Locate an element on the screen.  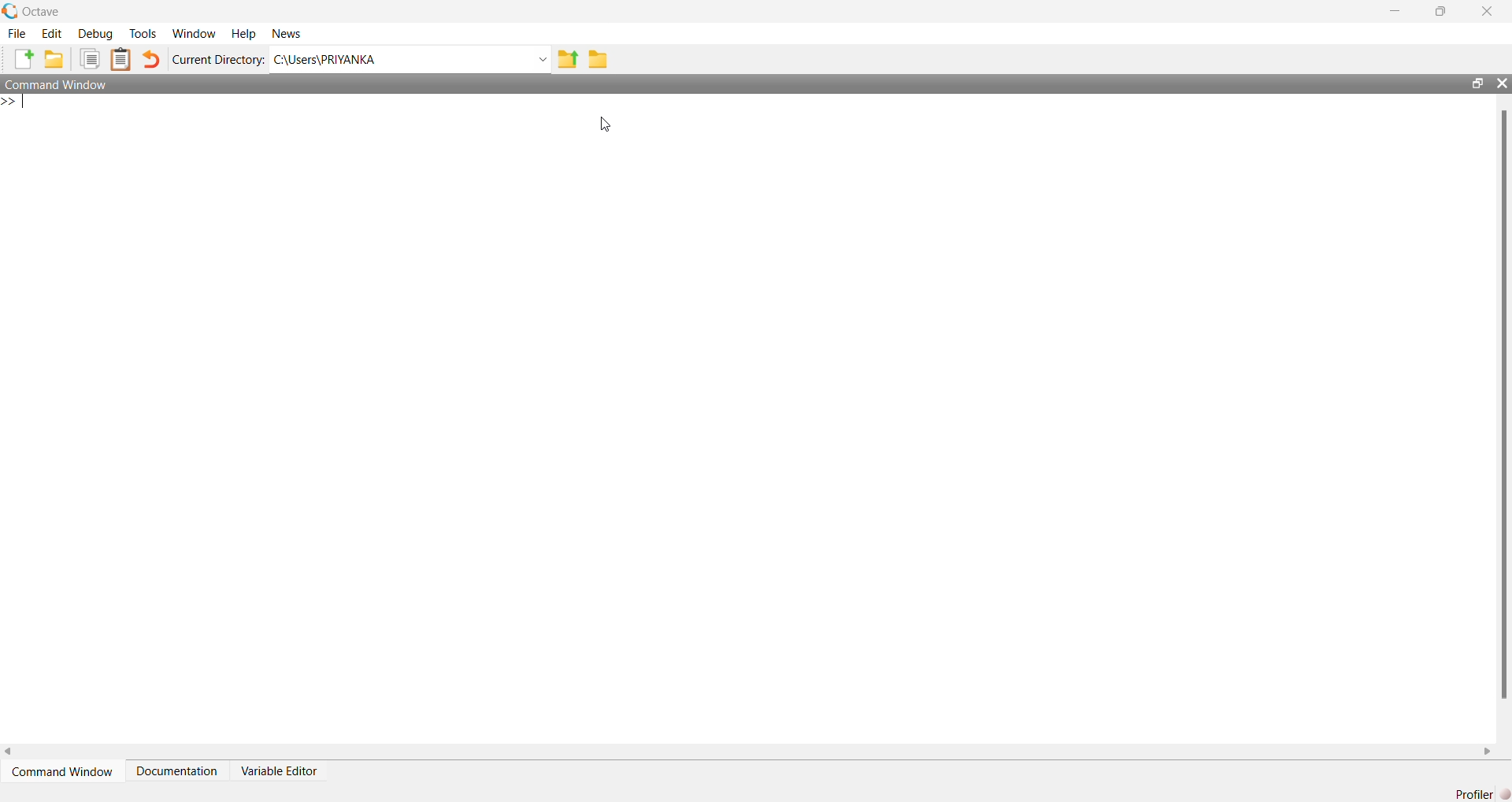
parent directory is located at coordinates (569, 60).